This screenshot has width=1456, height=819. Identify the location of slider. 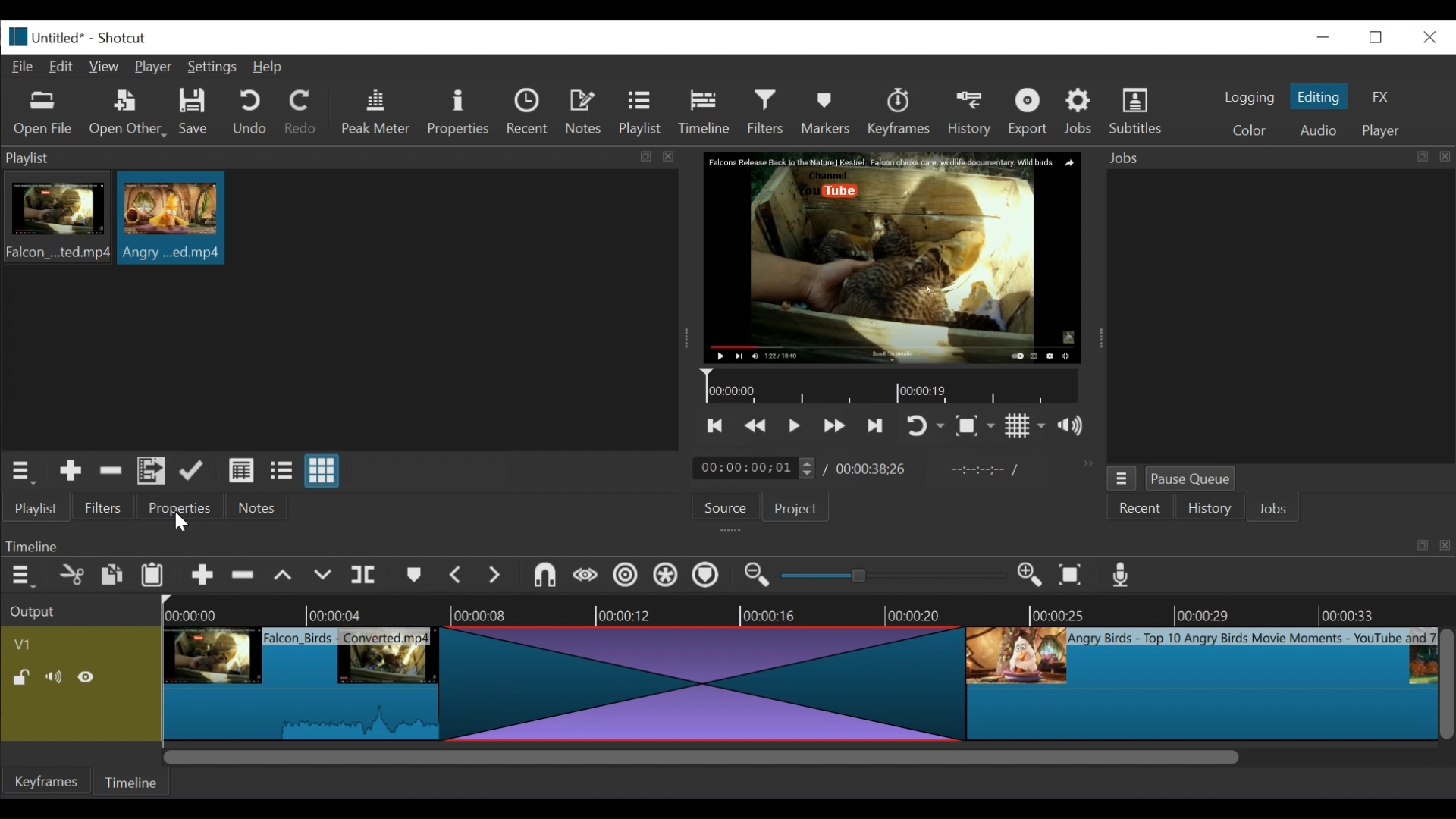
(889, 576).